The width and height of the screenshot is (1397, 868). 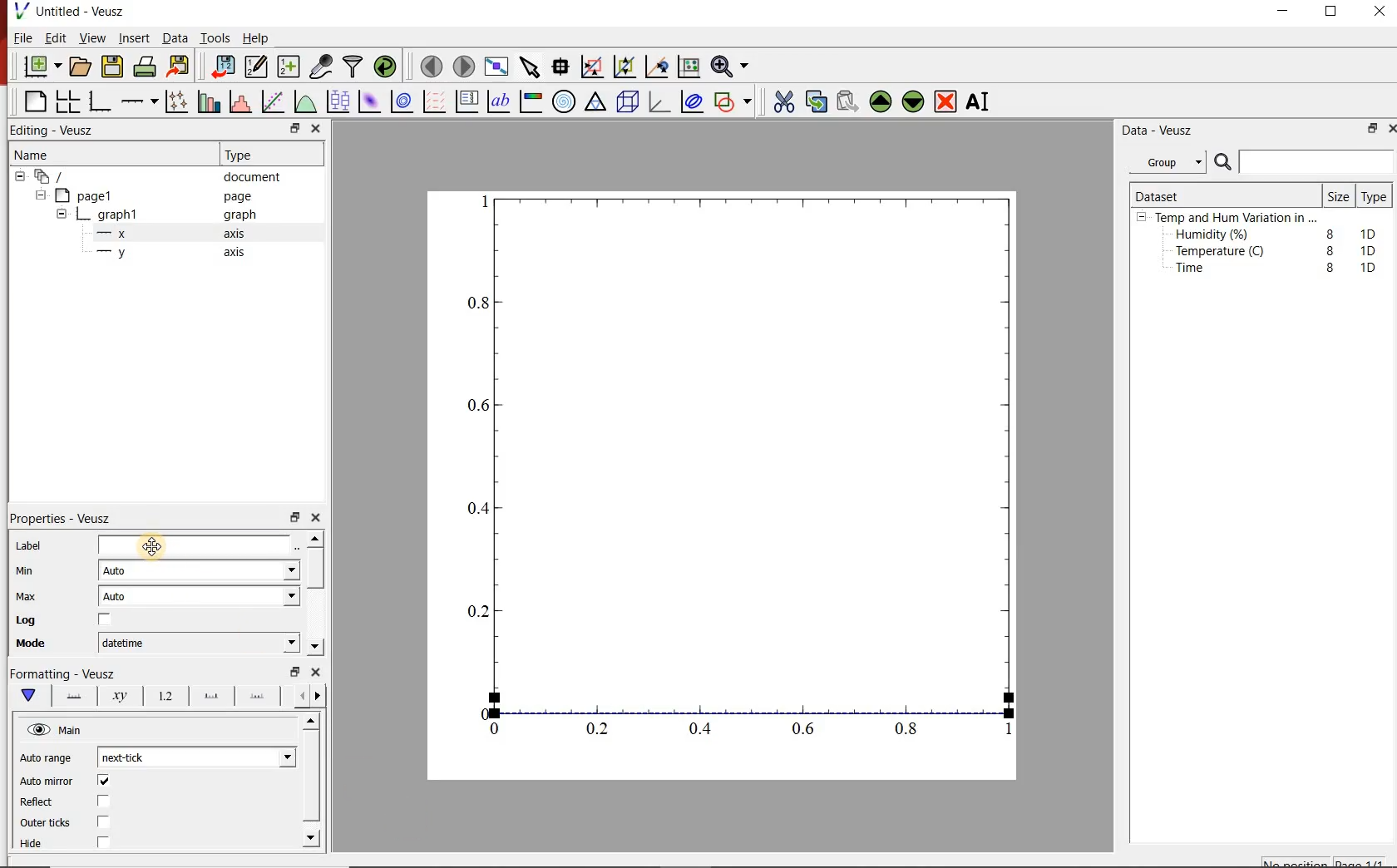 What do you see at coordinates (238, 254) in the screenshot?
I see `axis` at bounding box center [238, 254].